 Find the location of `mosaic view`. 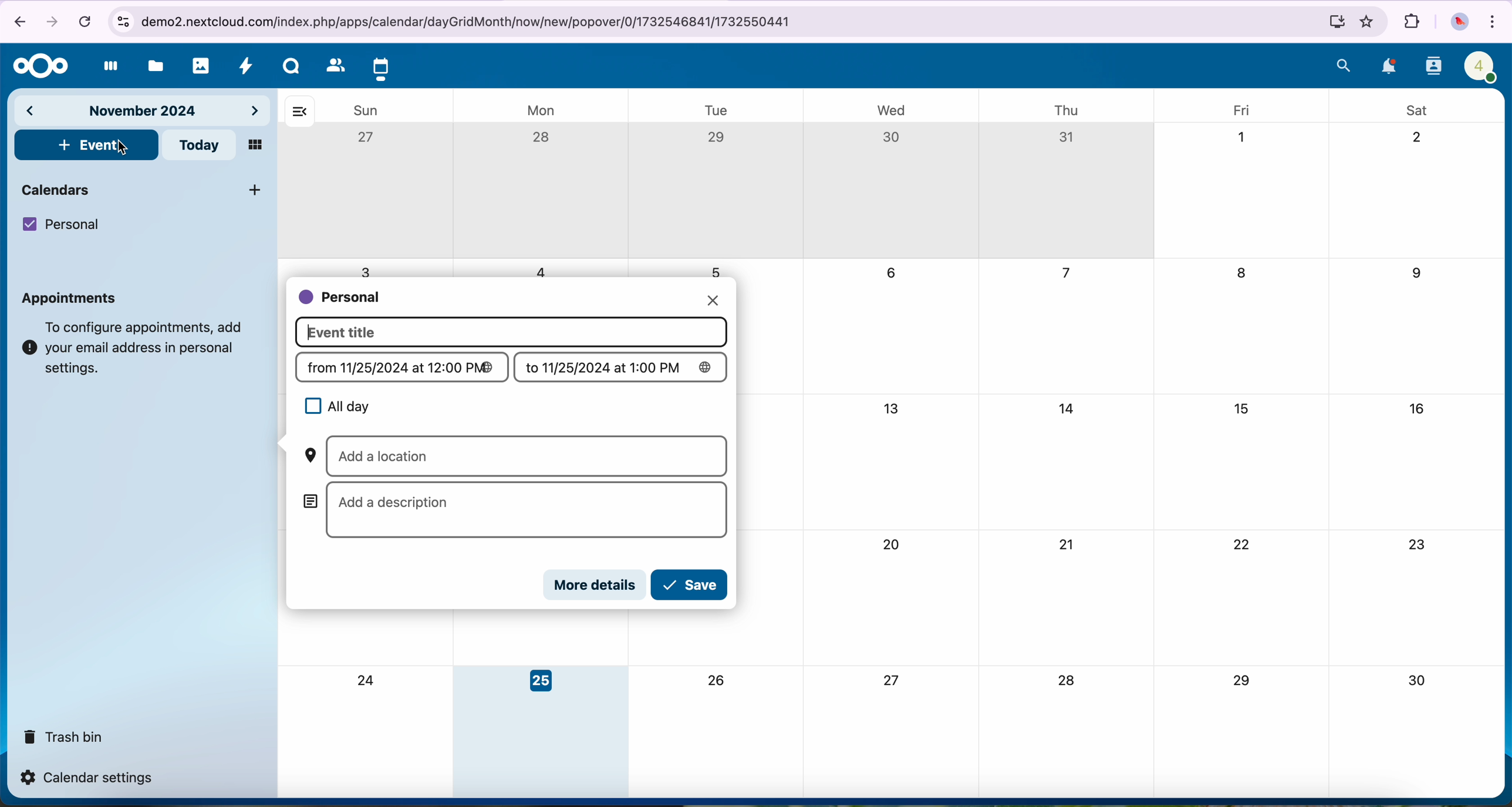

mosaic view is located at coordinates (256, 145).